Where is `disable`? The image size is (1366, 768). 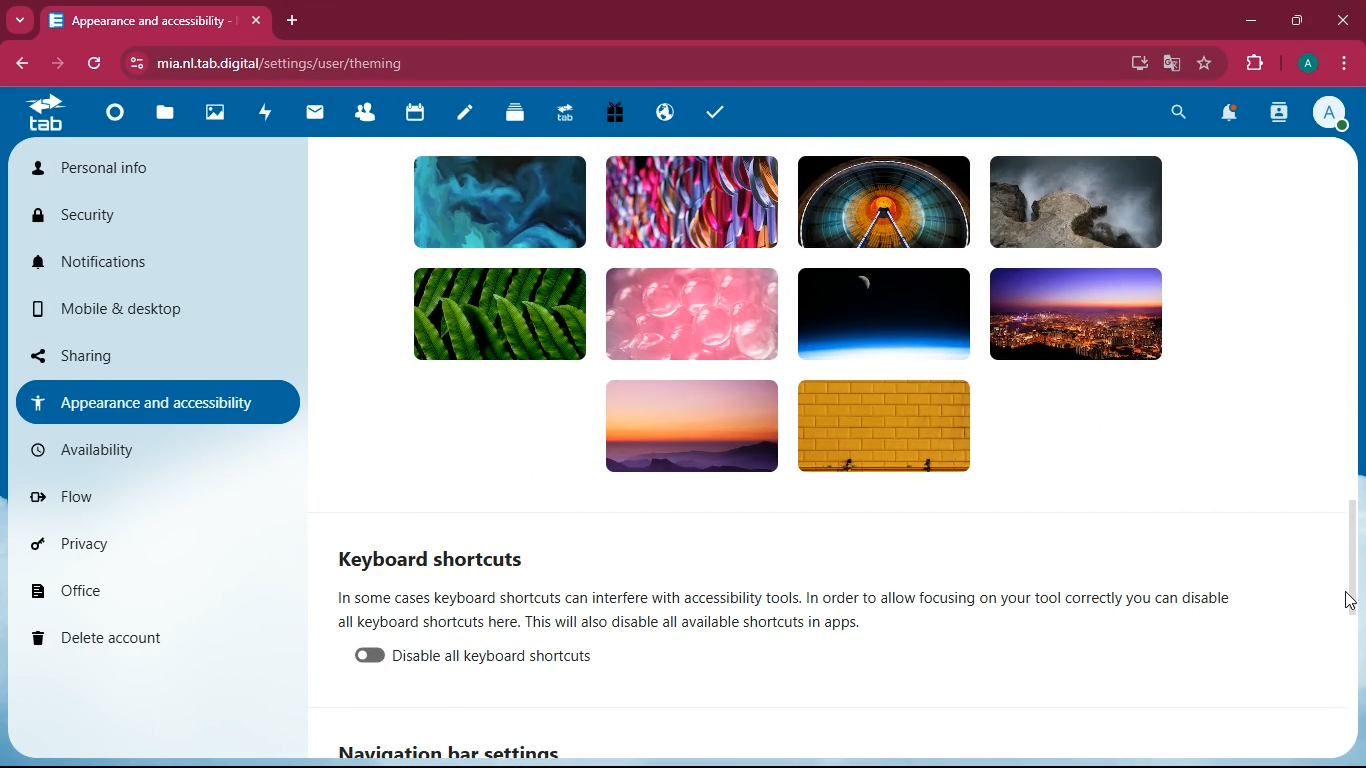 disable is located at coordinates (503, 658).